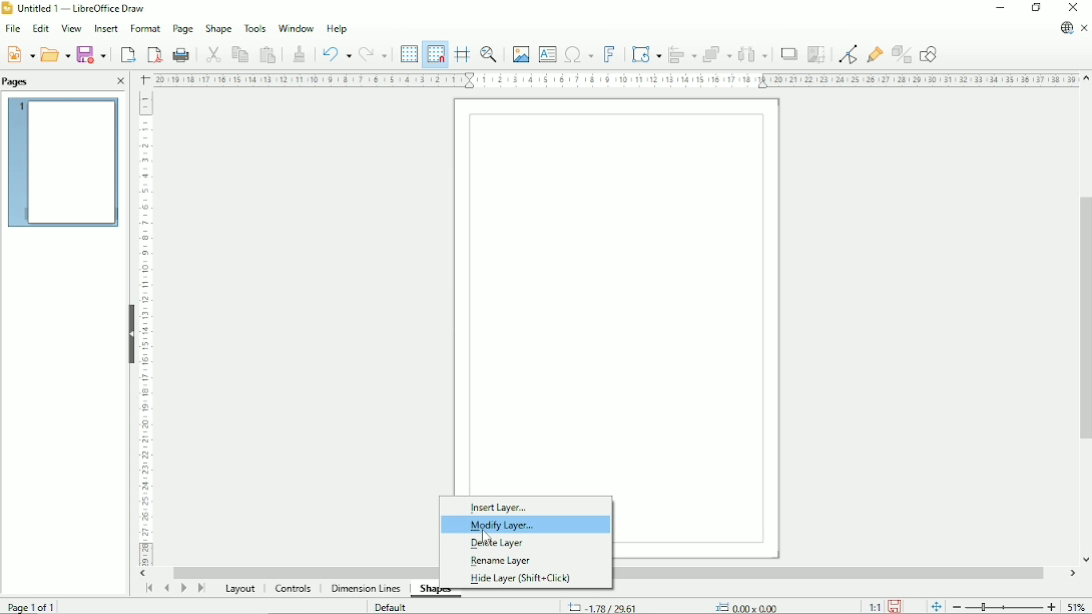 This screenshot has width=1092, height=614. What do you see at coordinates (254, 29) in the screenshot?
I see `Tools` at bounding box center [254, 29].